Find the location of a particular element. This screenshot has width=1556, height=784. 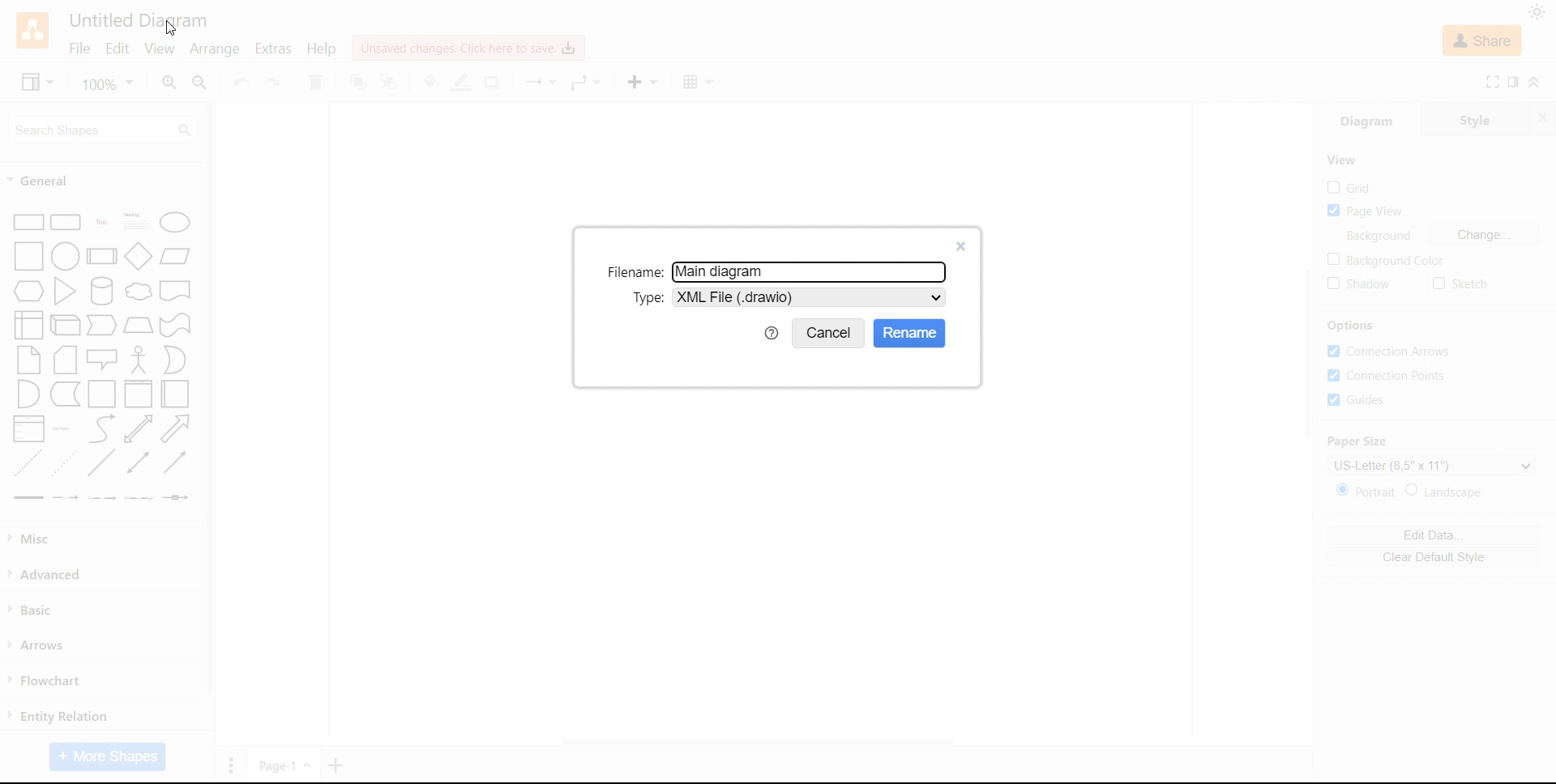

Send to back  is located at coordinates (391, 83).